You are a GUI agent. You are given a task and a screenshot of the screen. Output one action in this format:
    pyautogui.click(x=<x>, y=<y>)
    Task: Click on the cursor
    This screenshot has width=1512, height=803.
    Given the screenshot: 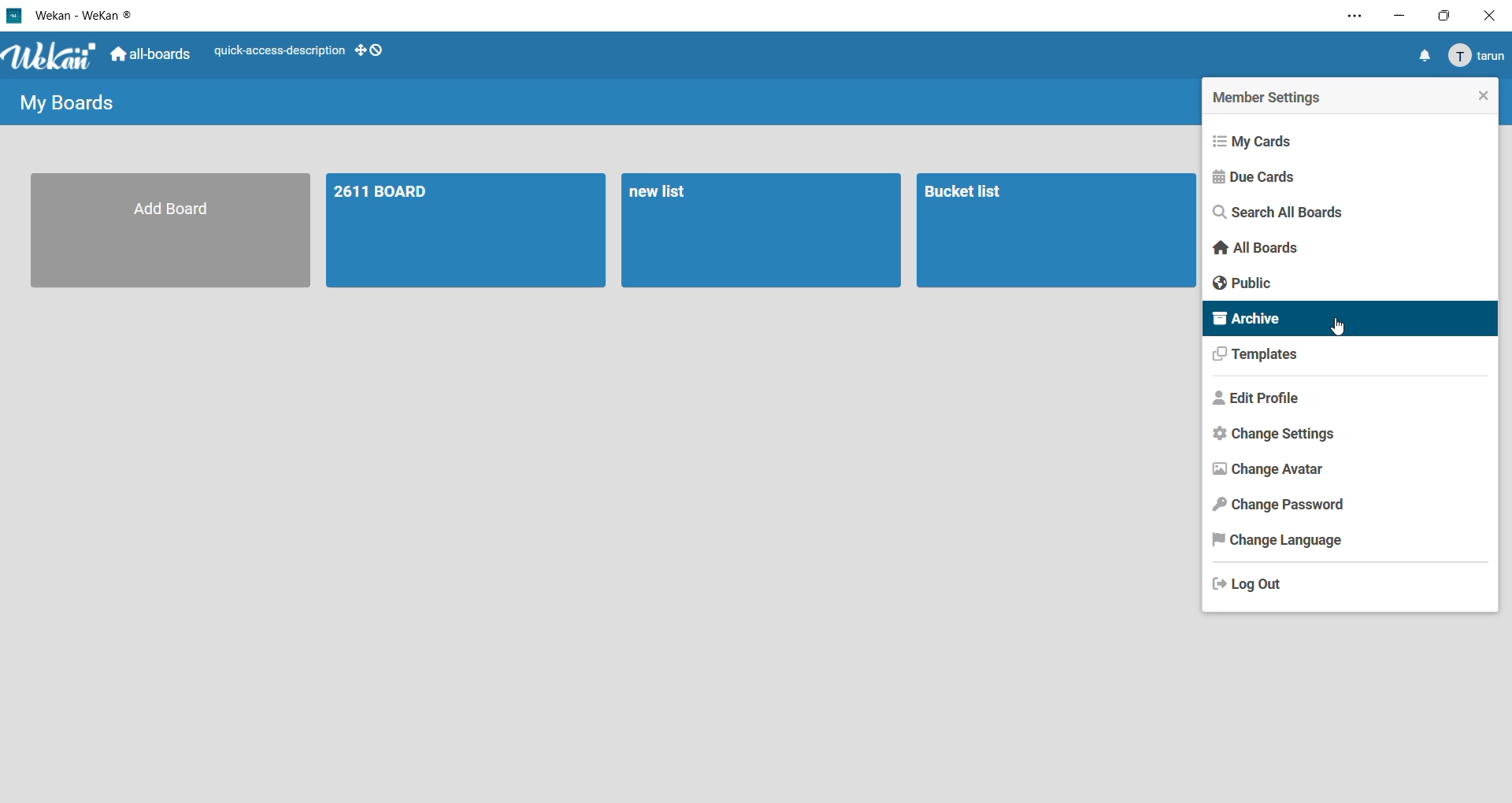 What is the action you would take?
    pyautogui.click(x=1498, y=73)
    